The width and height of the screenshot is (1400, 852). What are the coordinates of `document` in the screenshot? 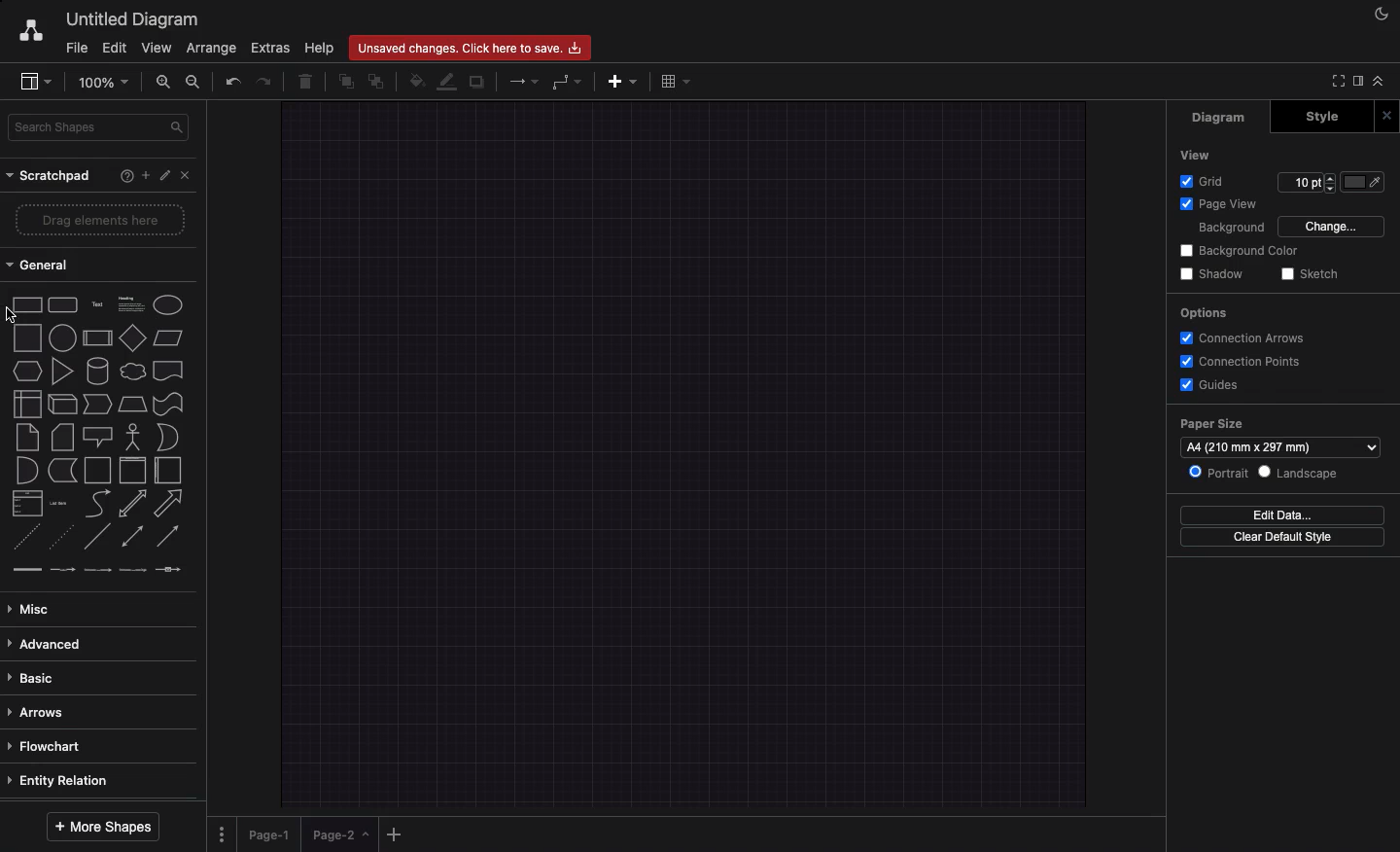 It's located at (168, 371).